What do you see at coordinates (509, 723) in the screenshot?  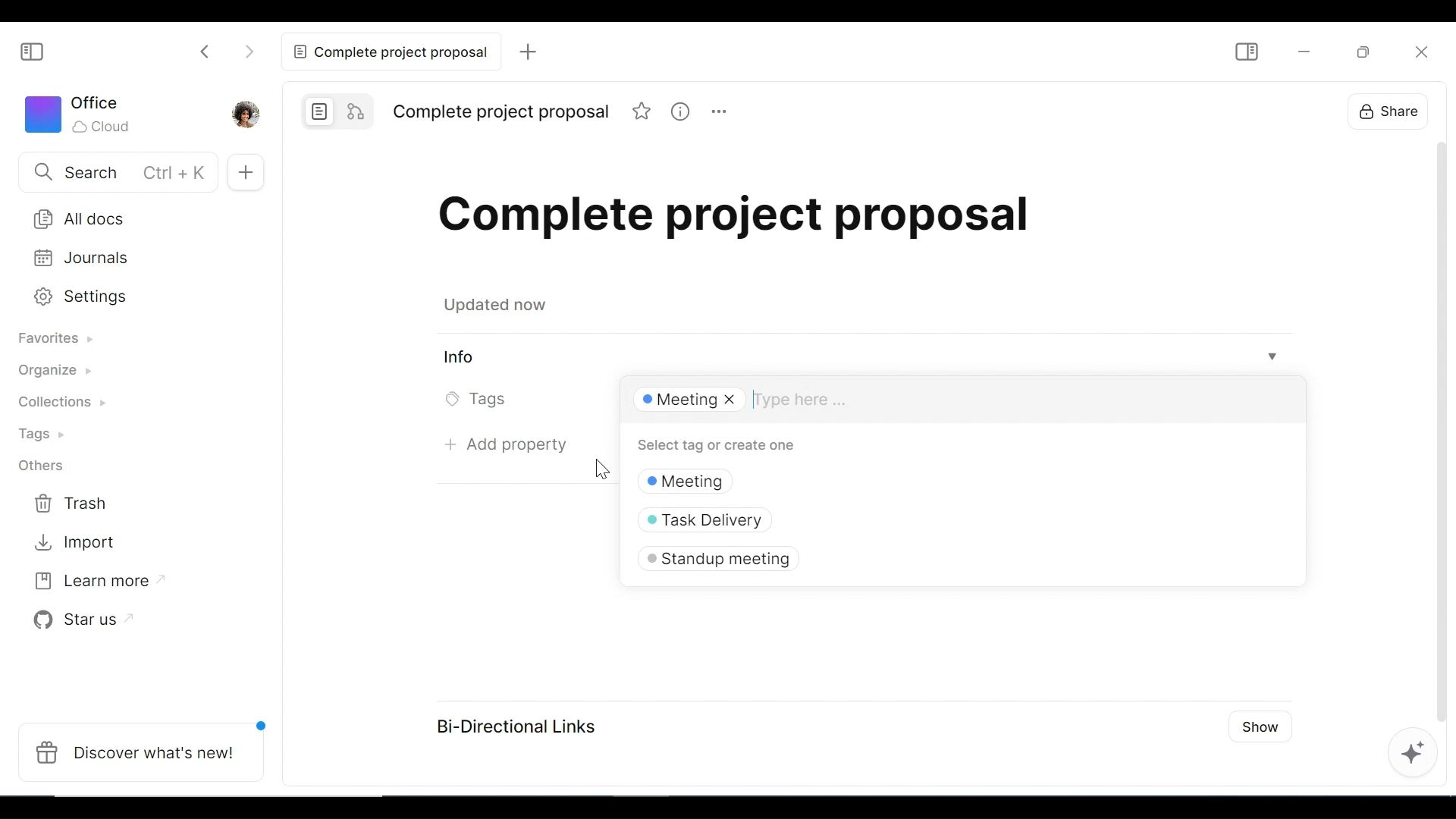 I see `Bi-Directional Links` at bounding box center [509, 723].